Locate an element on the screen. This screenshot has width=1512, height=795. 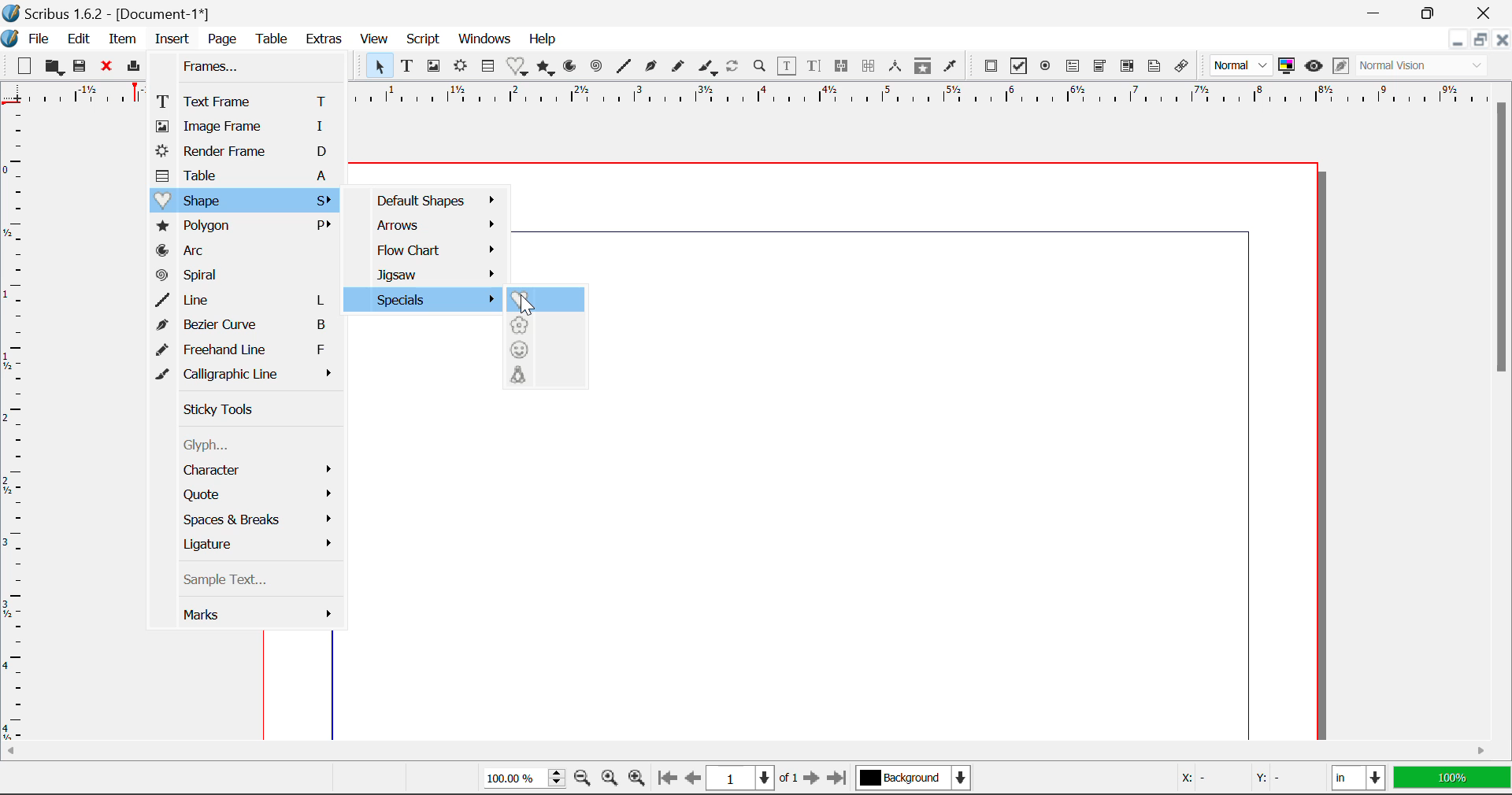
Pdf Checkbox is located at coordinates (1021, 68).